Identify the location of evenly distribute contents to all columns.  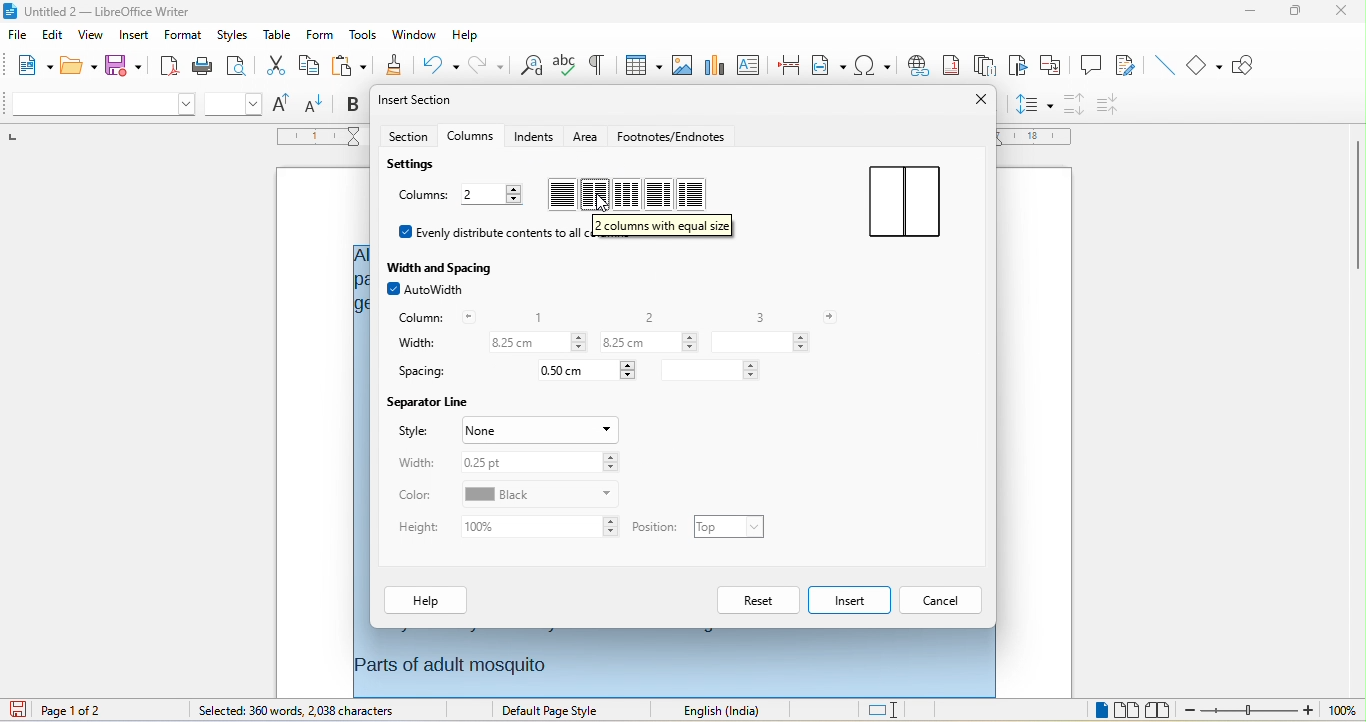
(488, 234).